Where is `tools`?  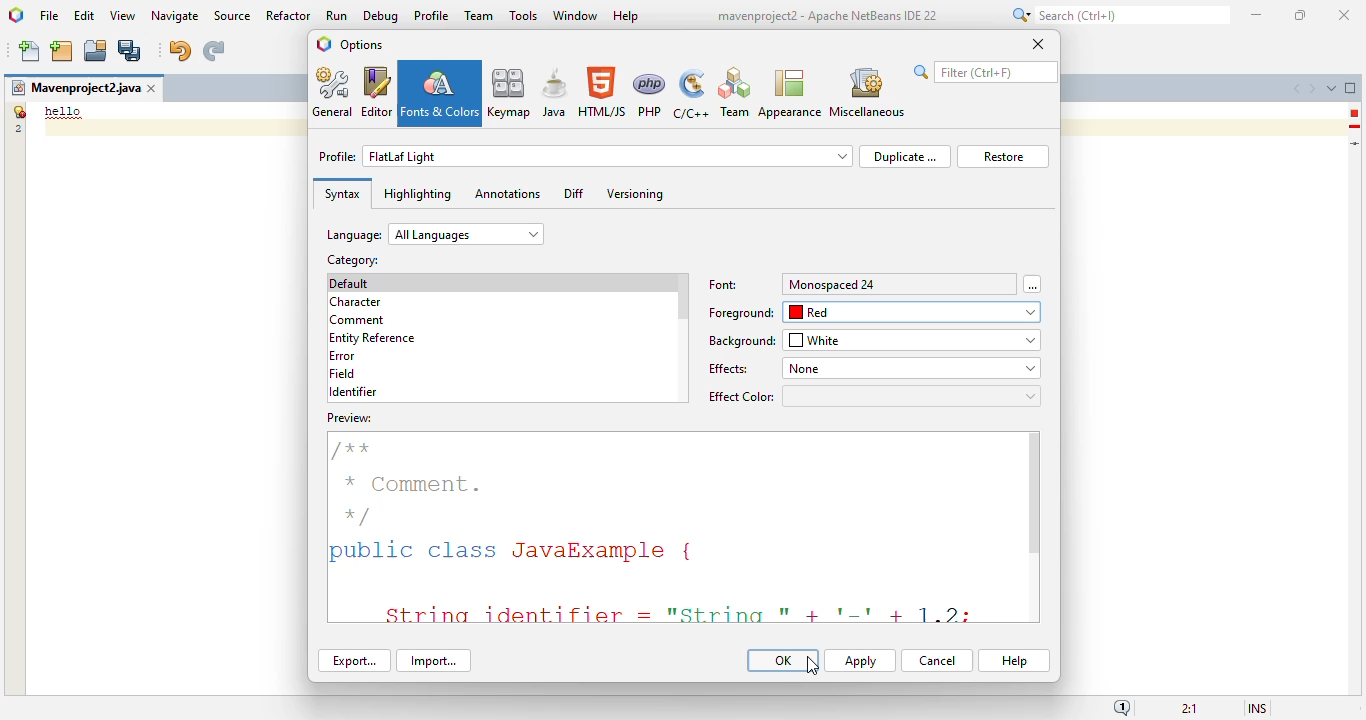
tools is located at coordinates (523, 15).